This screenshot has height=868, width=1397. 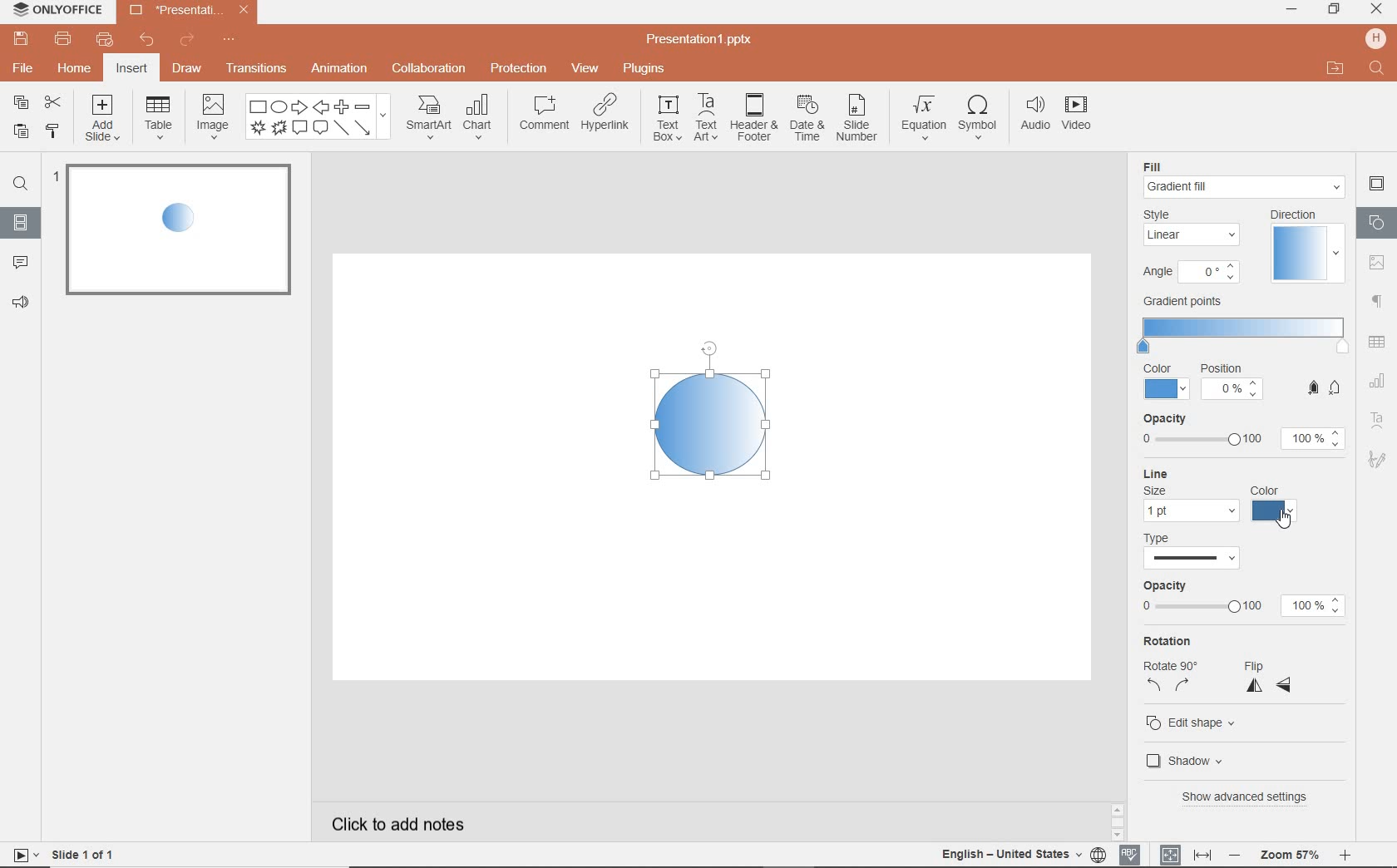 What do you see at coordinates (1378, 299) in the screenshot?
I see `paragraph settings` at bounding box center [1378, 299].